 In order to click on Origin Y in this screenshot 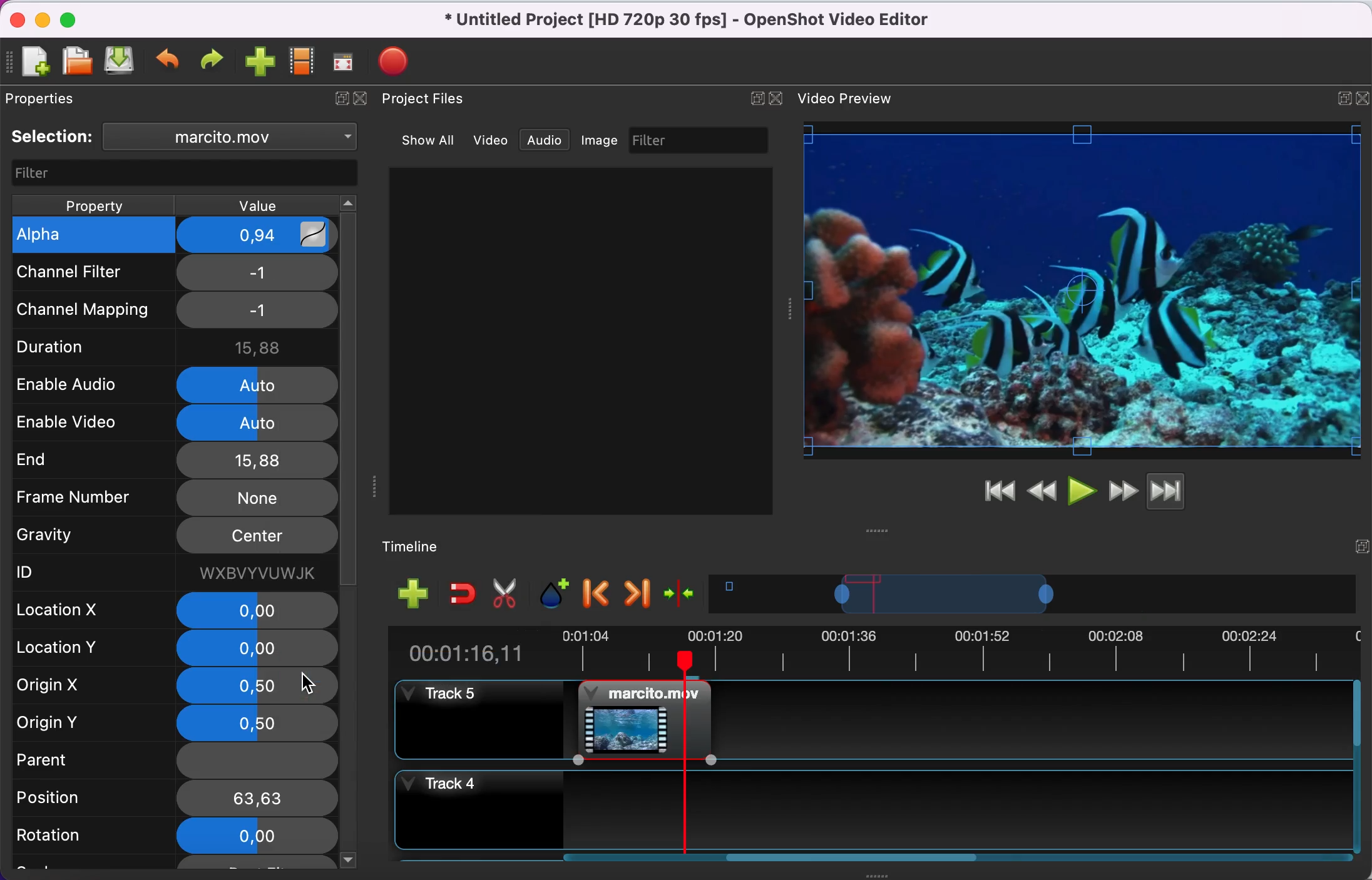, I will do `click(76, 720)`.